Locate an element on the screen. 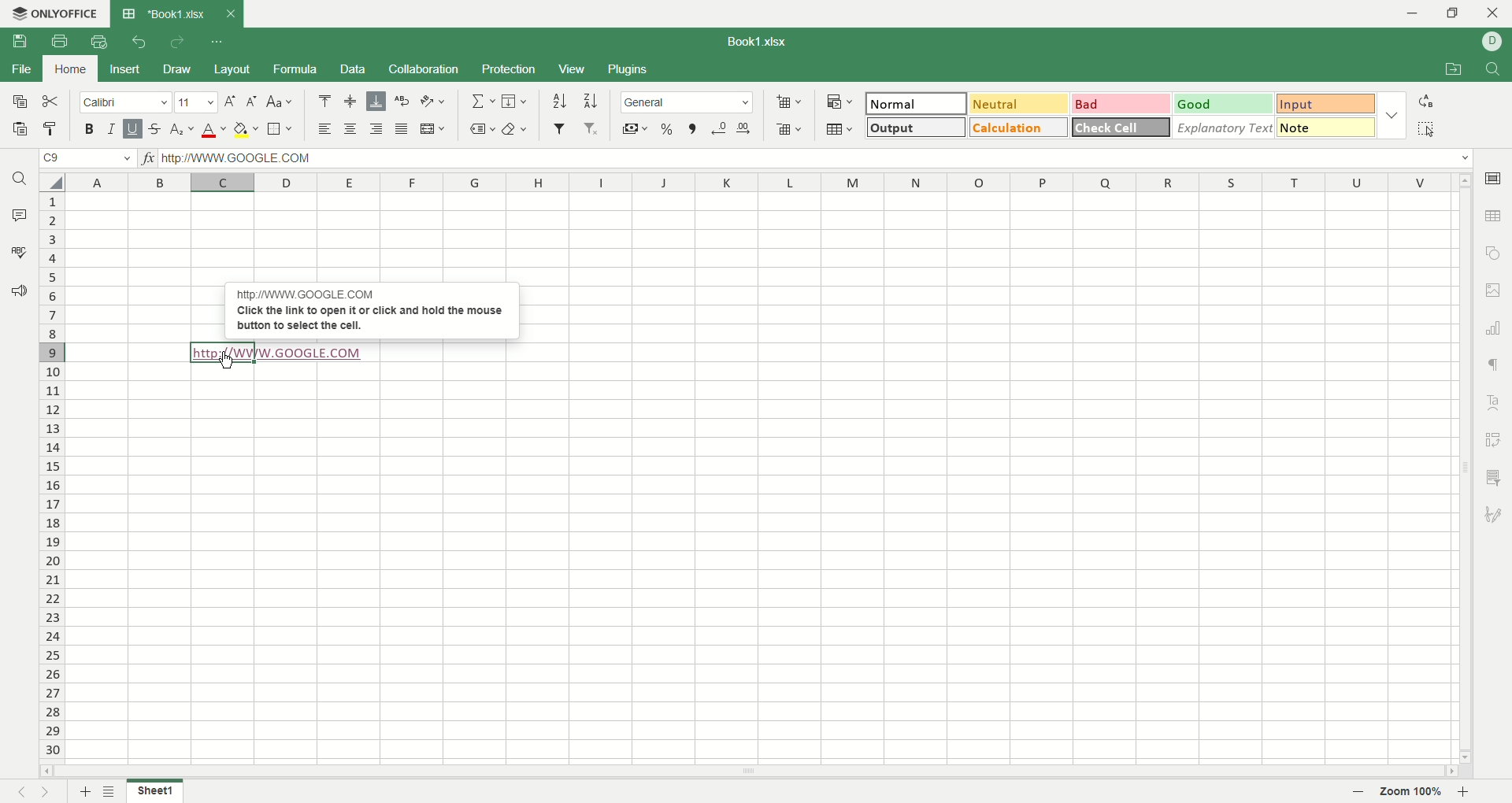 This screenshot has width=1512, height=803. background color is located at coordinates (246, 129).